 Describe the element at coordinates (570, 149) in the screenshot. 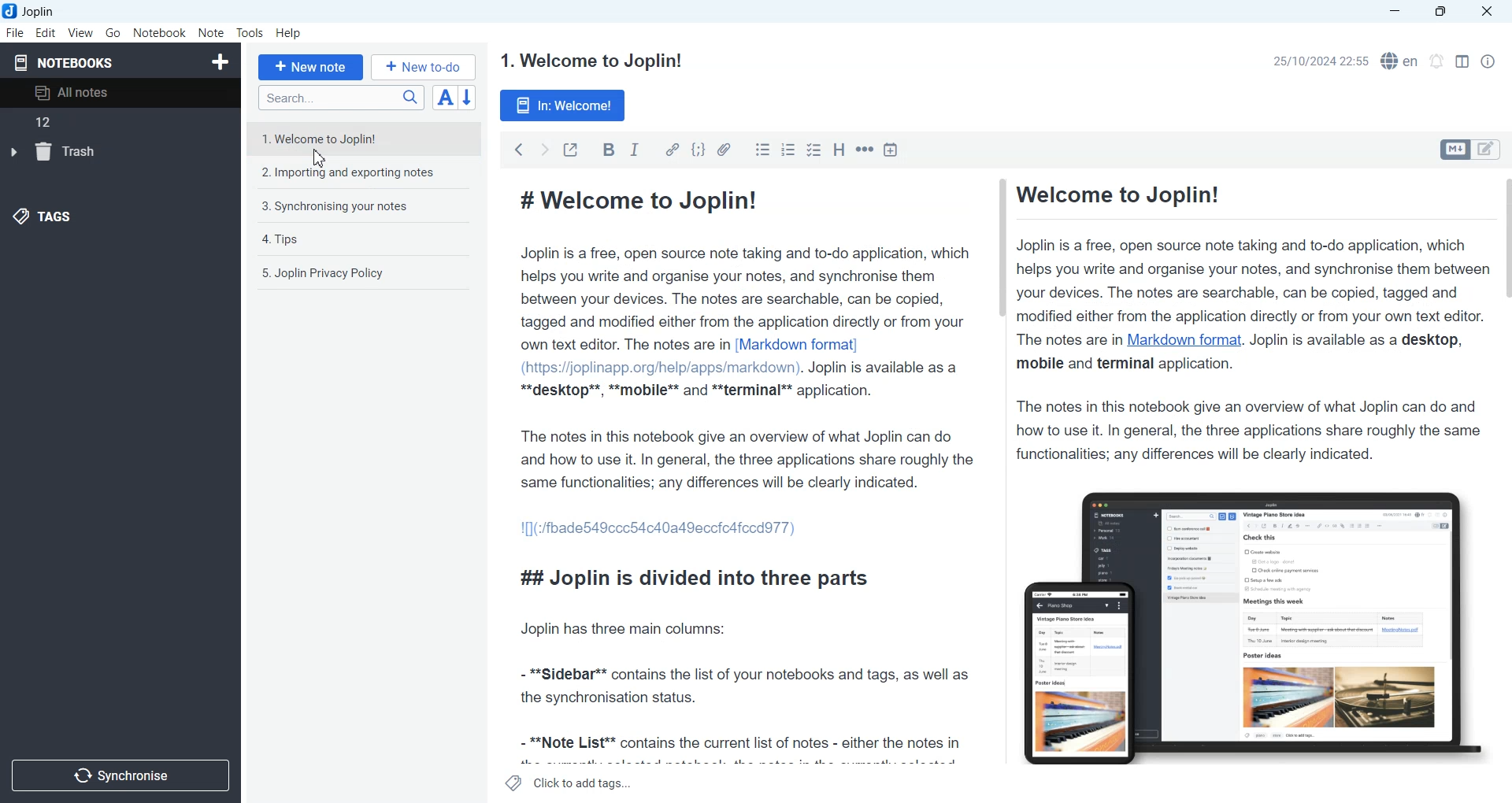

I see `Toggle external editing` at that location.